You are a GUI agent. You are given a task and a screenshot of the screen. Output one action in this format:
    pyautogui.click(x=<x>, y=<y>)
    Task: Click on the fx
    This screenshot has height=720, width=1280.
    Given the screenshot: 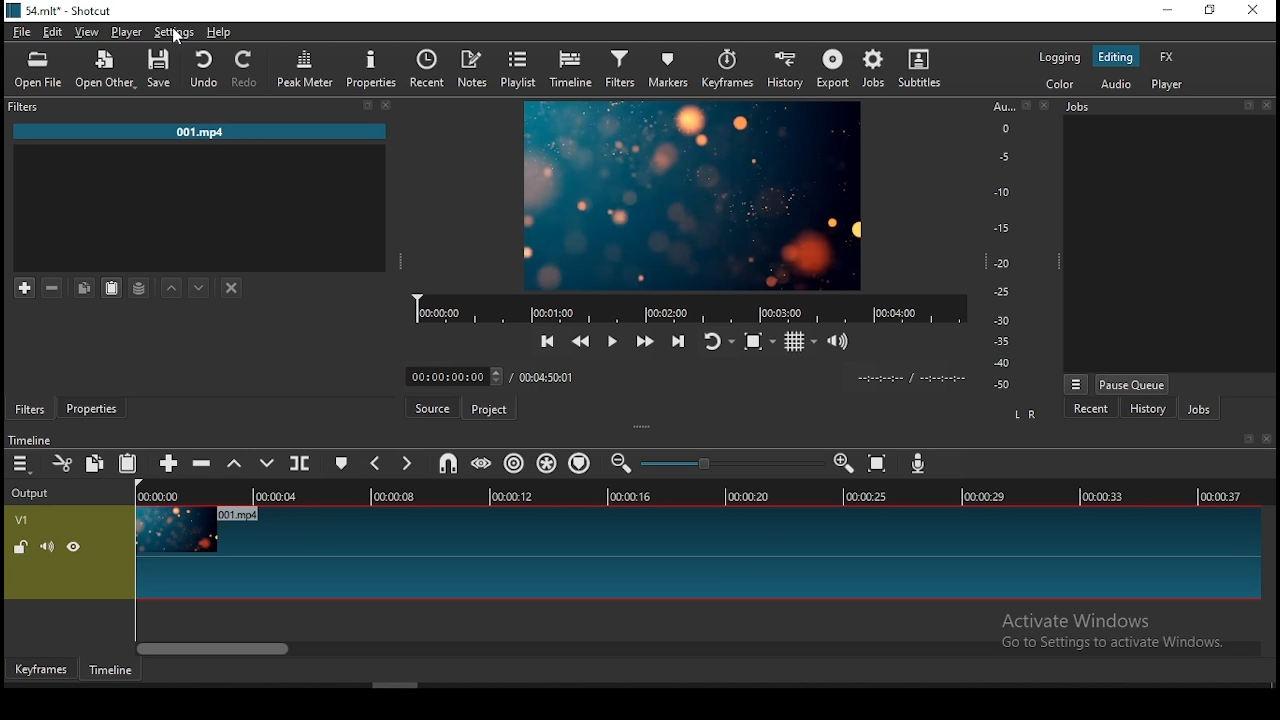 What is the action you would take?
    pyautogui.click(x=1169, y=58)
    